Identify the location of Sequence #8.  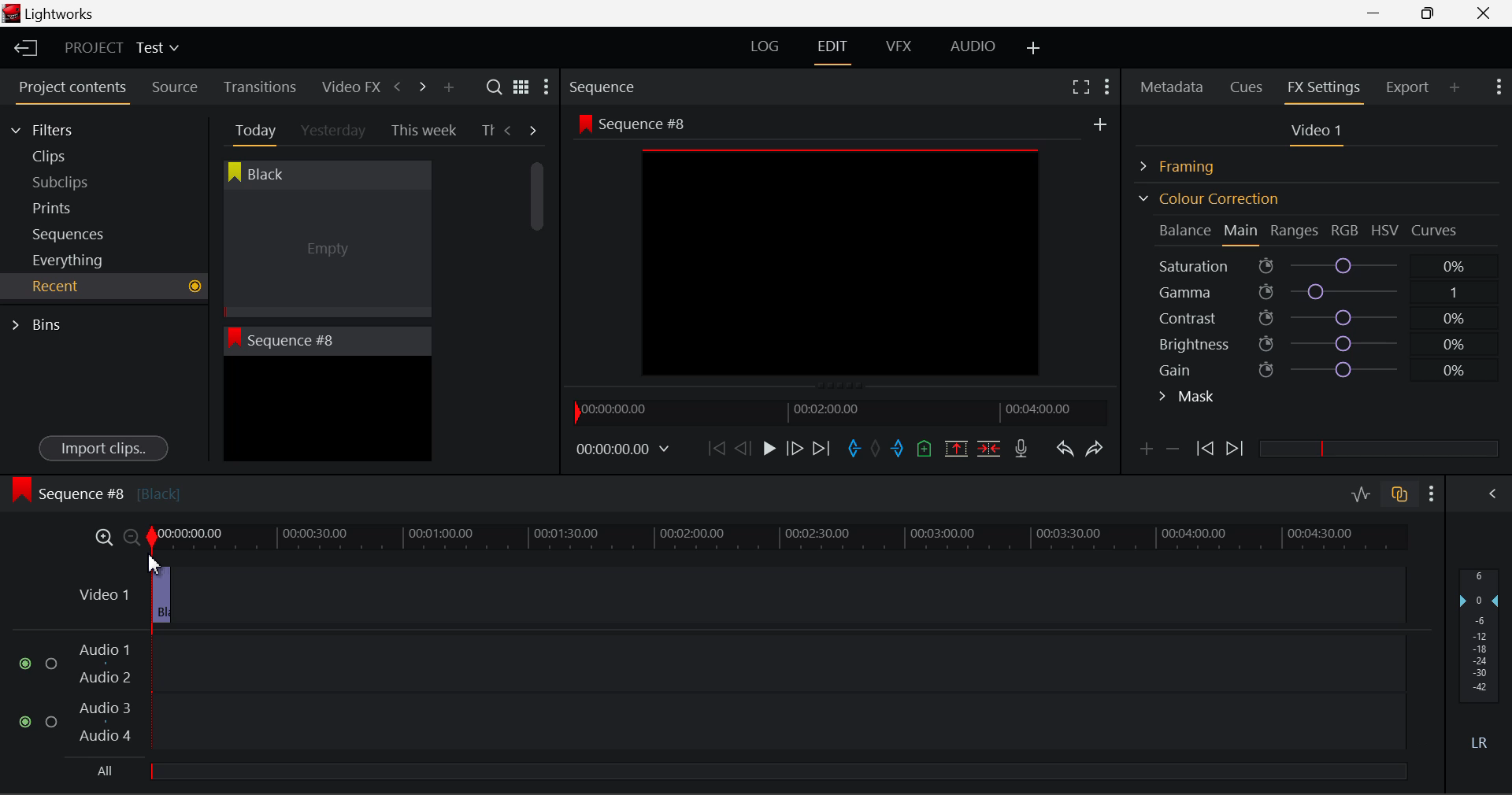
(95, 490).